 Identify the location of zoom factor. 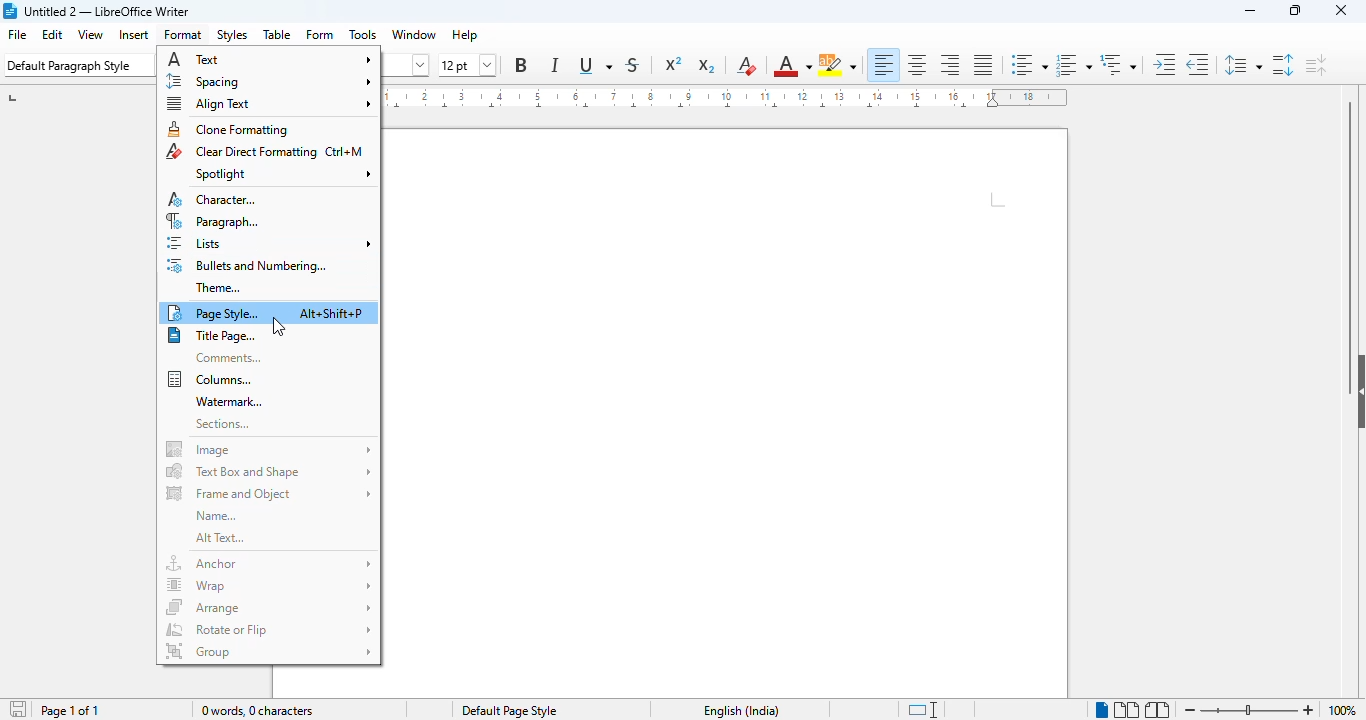
(1342, 711).